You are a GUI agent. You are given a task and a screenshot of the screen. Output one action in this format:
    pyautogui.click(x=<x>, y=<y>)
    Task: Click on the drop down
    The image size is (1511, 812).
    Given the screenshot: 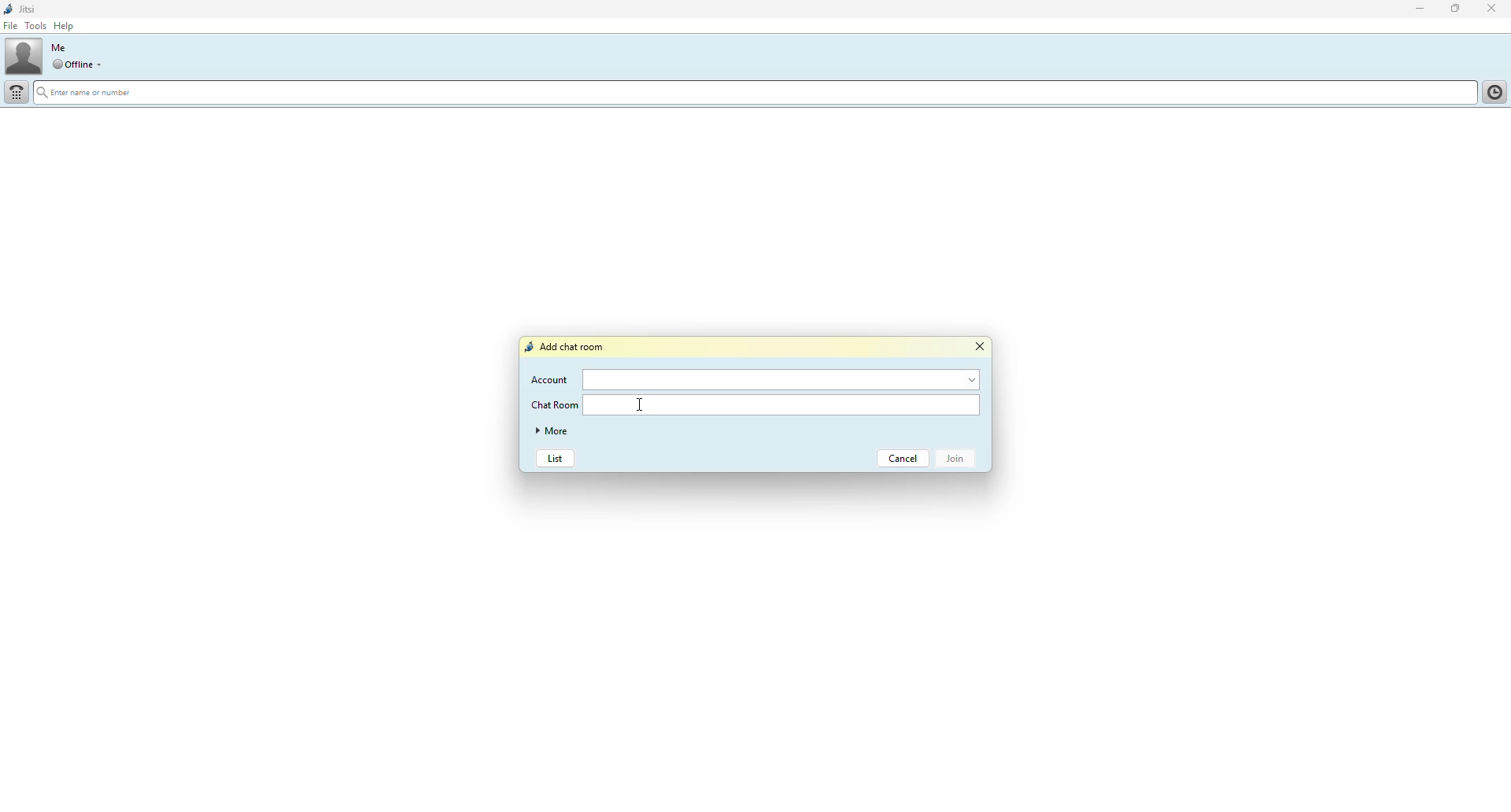 What is the action you would take?
    pyautogui.click(x=102, y=64)
    